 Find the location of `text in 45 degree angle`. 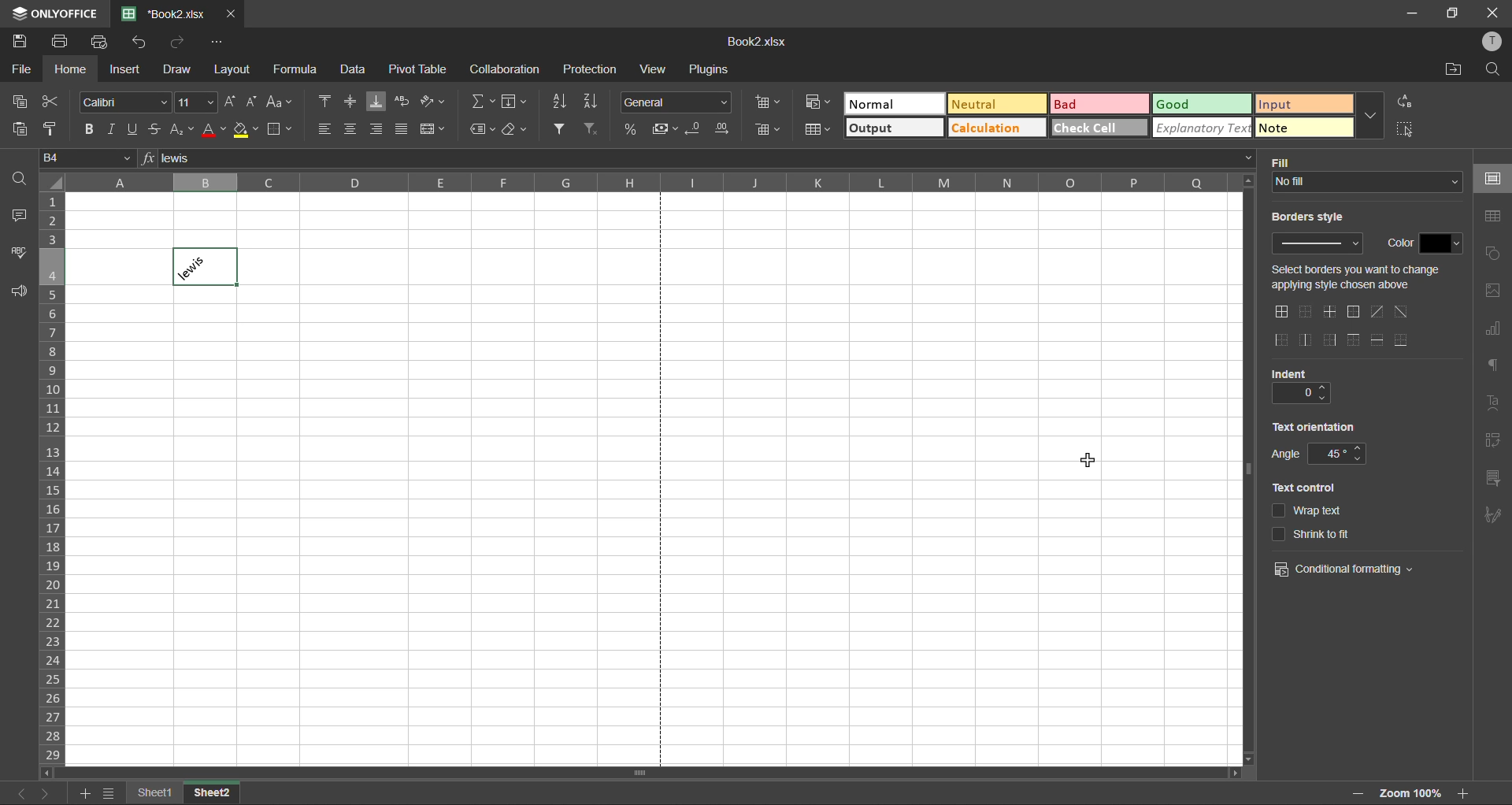

text in 45 degree angle is located at coordinates (201, 265).